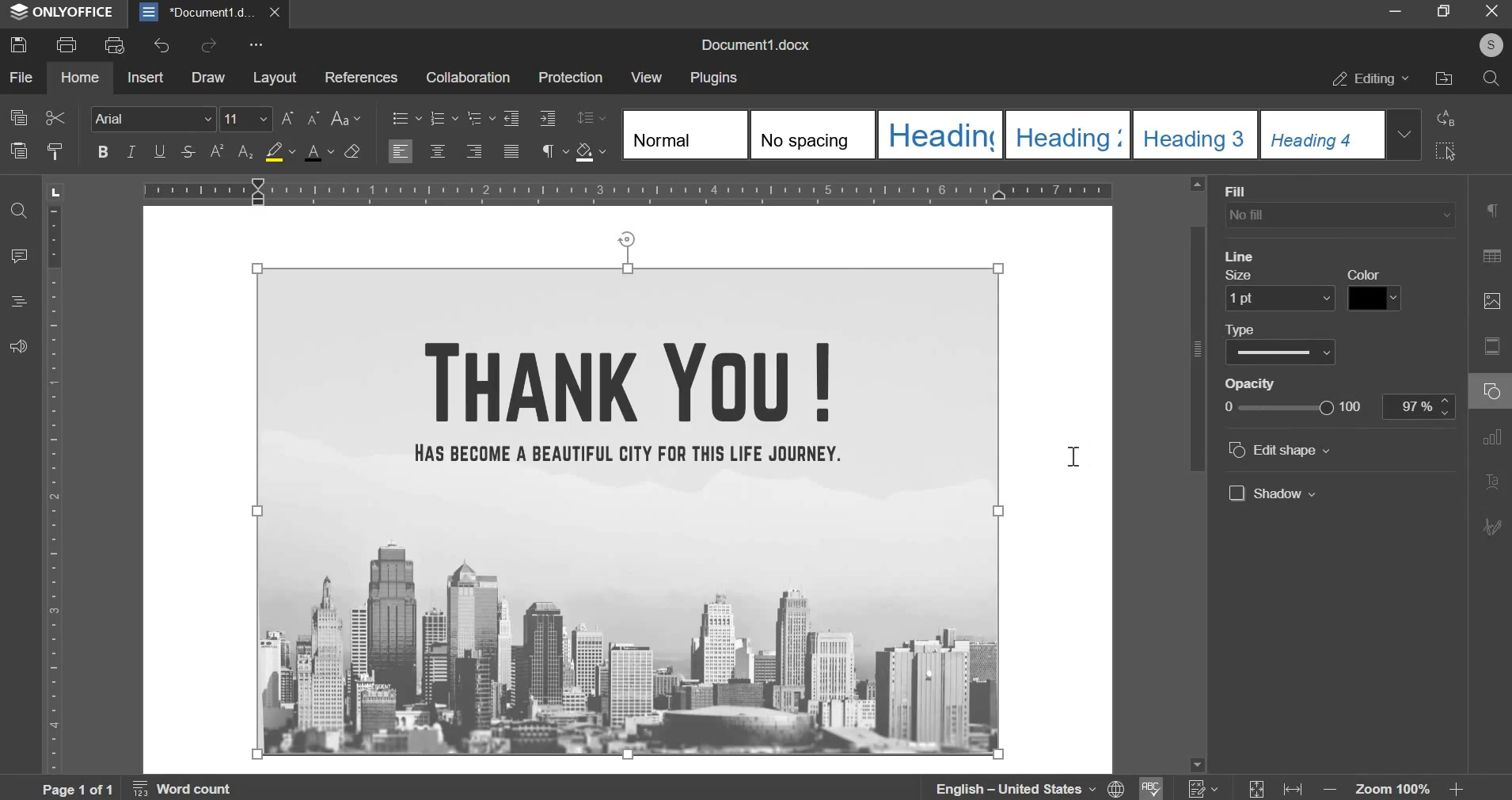 The width and height of the screenshot is (1512, 800). Describe the element at coordinates (57, 150) in the screenshot. I see `clear style` at that location.